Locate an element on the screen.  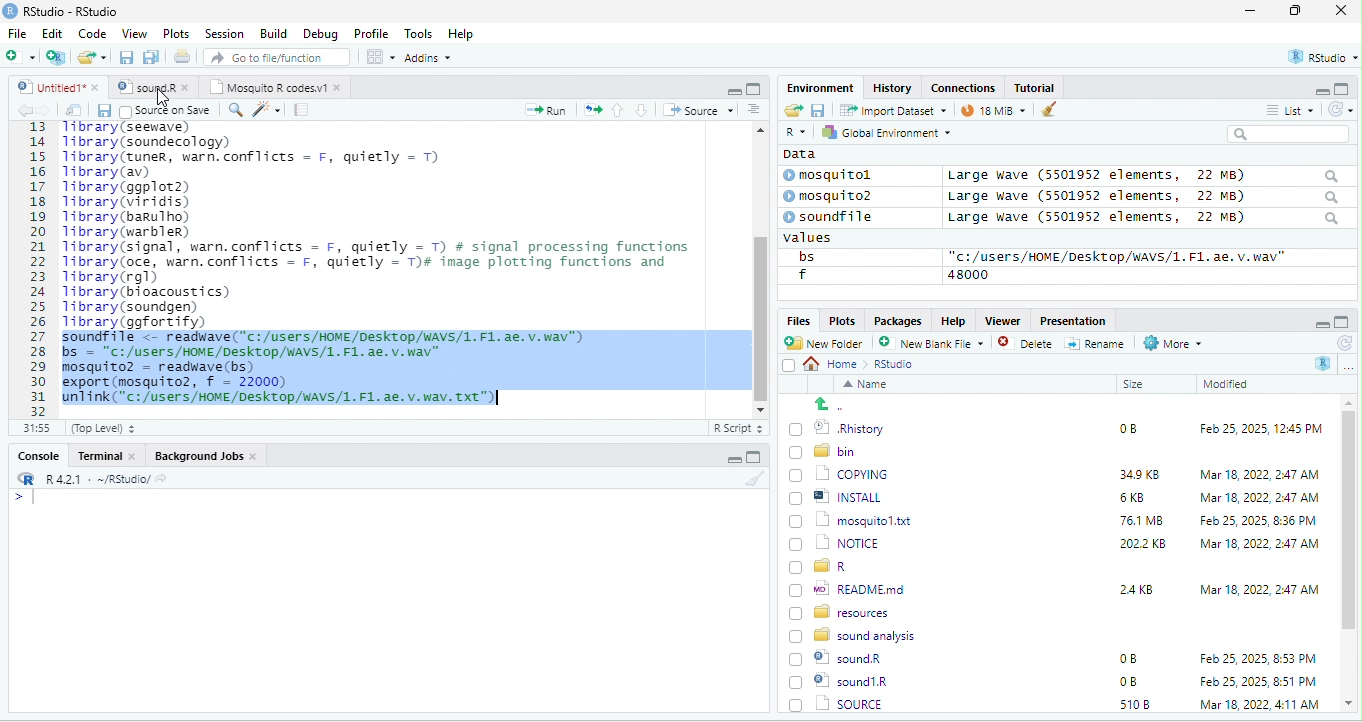
syntax is located at coordinates (20, 500).